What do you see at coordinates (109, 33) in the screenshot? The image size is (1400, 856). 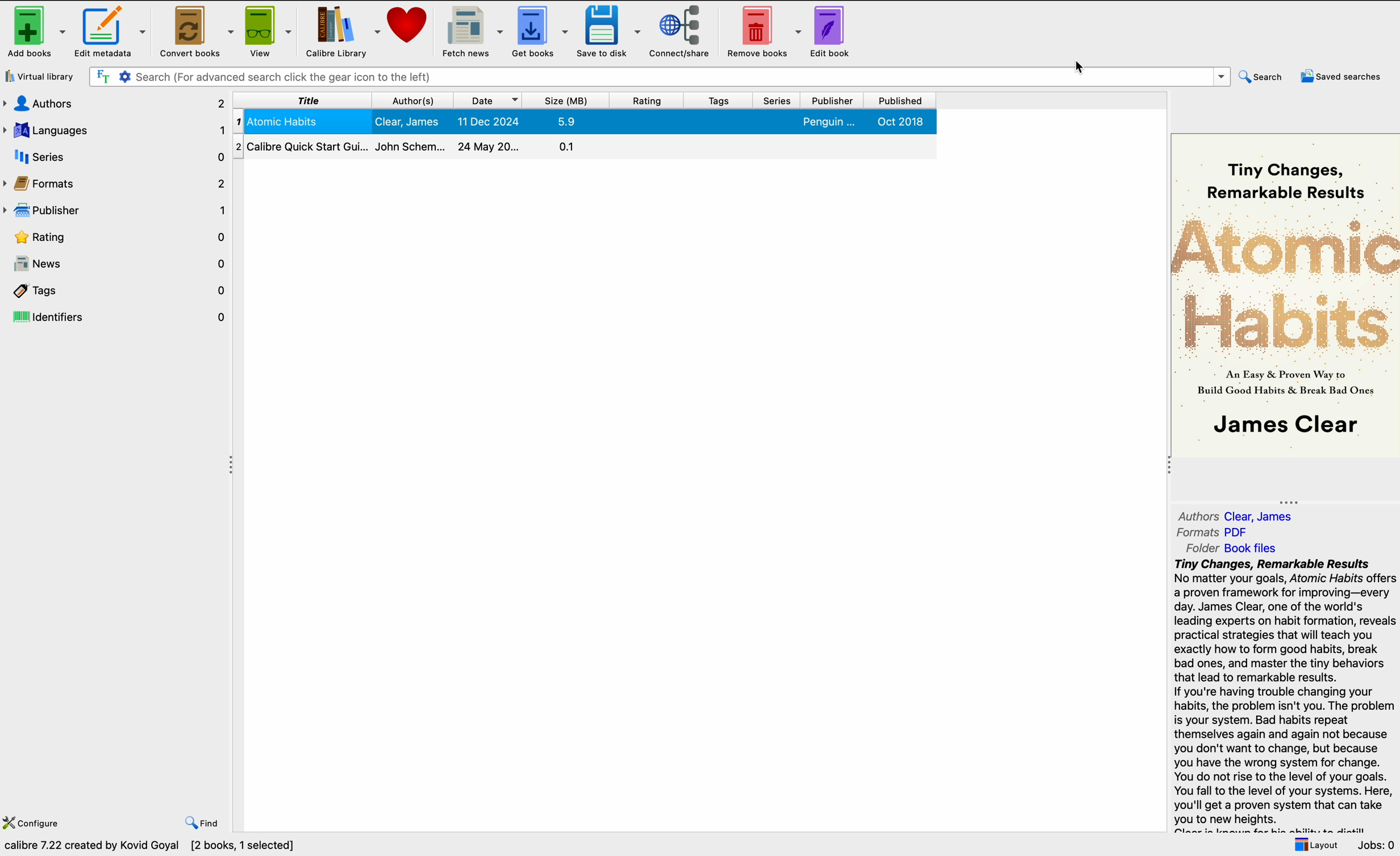 I see `click on metadata` at bounding box center [109, 33].